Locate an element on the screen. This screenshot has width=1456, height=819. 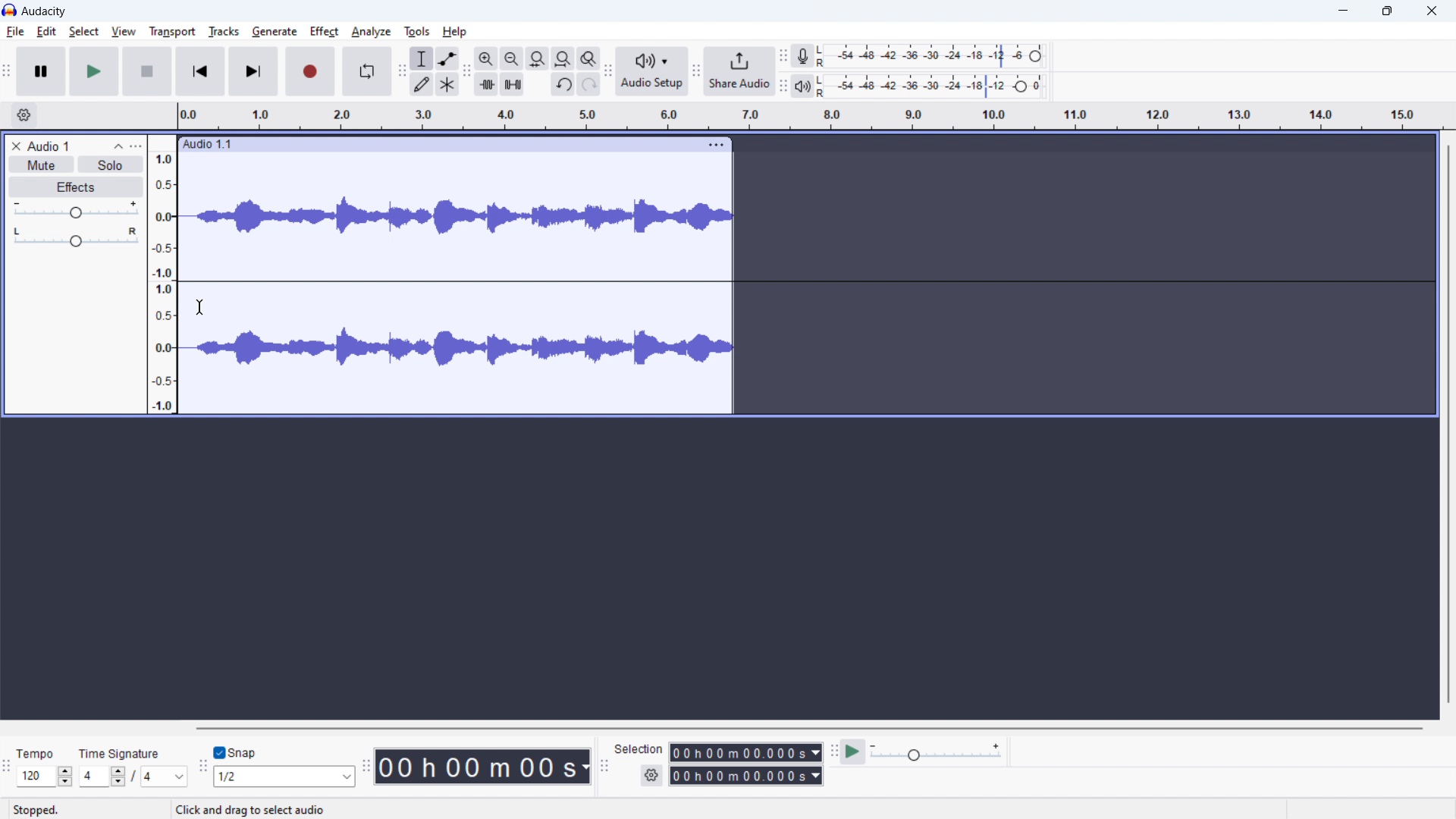
transport is located at coordinates (173, 31).